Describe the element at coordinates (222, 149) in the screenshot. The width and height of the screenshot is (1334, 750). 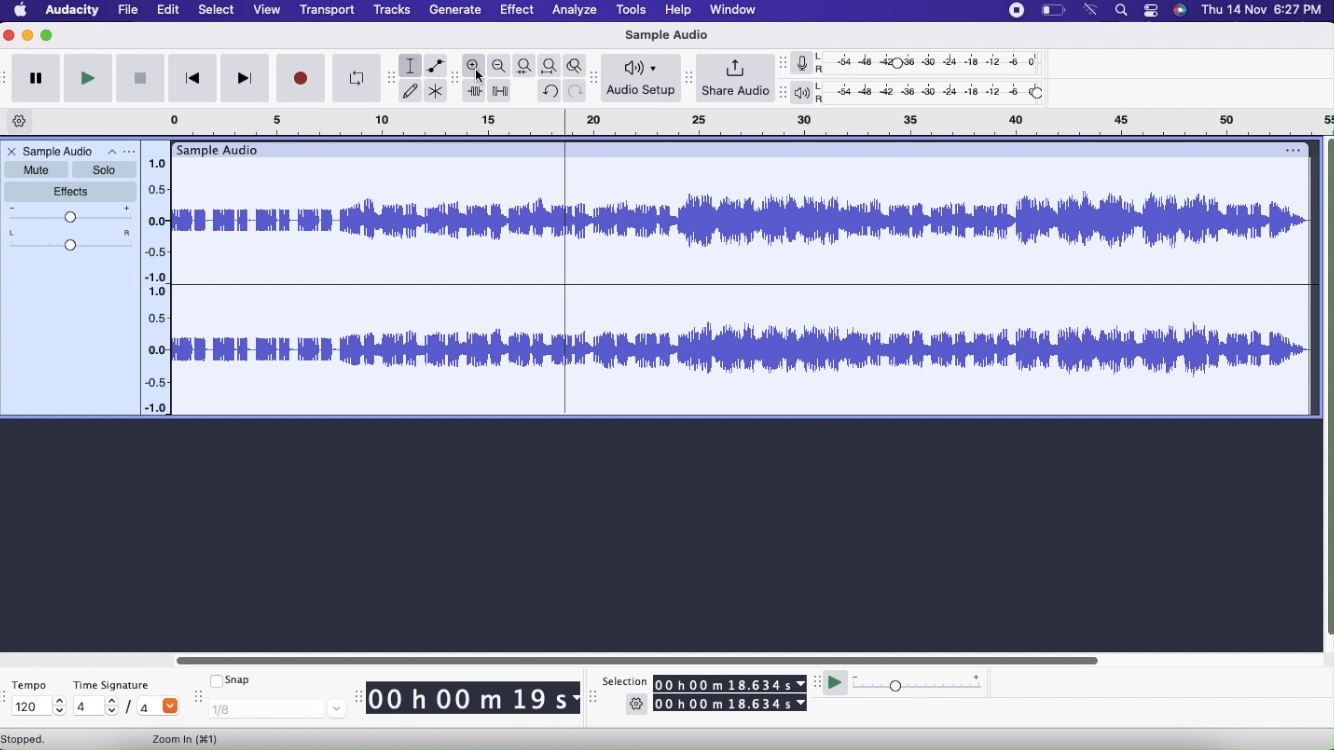
I see `Sample Audio` at that location.